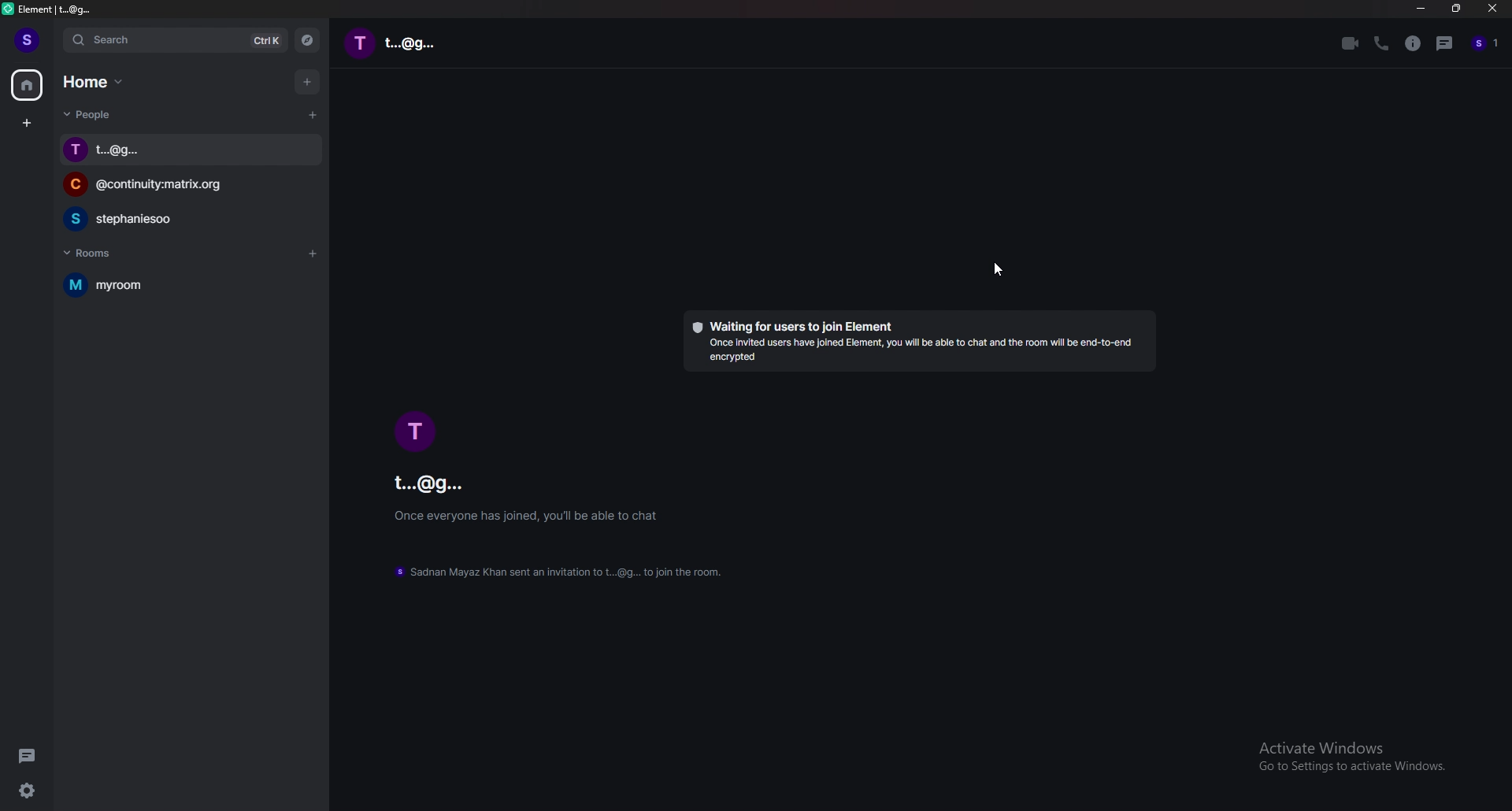 Image resolution: width=1512 pixels, height=811 pixels. What do you see at coordinates (102, 253) in the screenshot?
I see `rooms` at bounding box center [102, 253].